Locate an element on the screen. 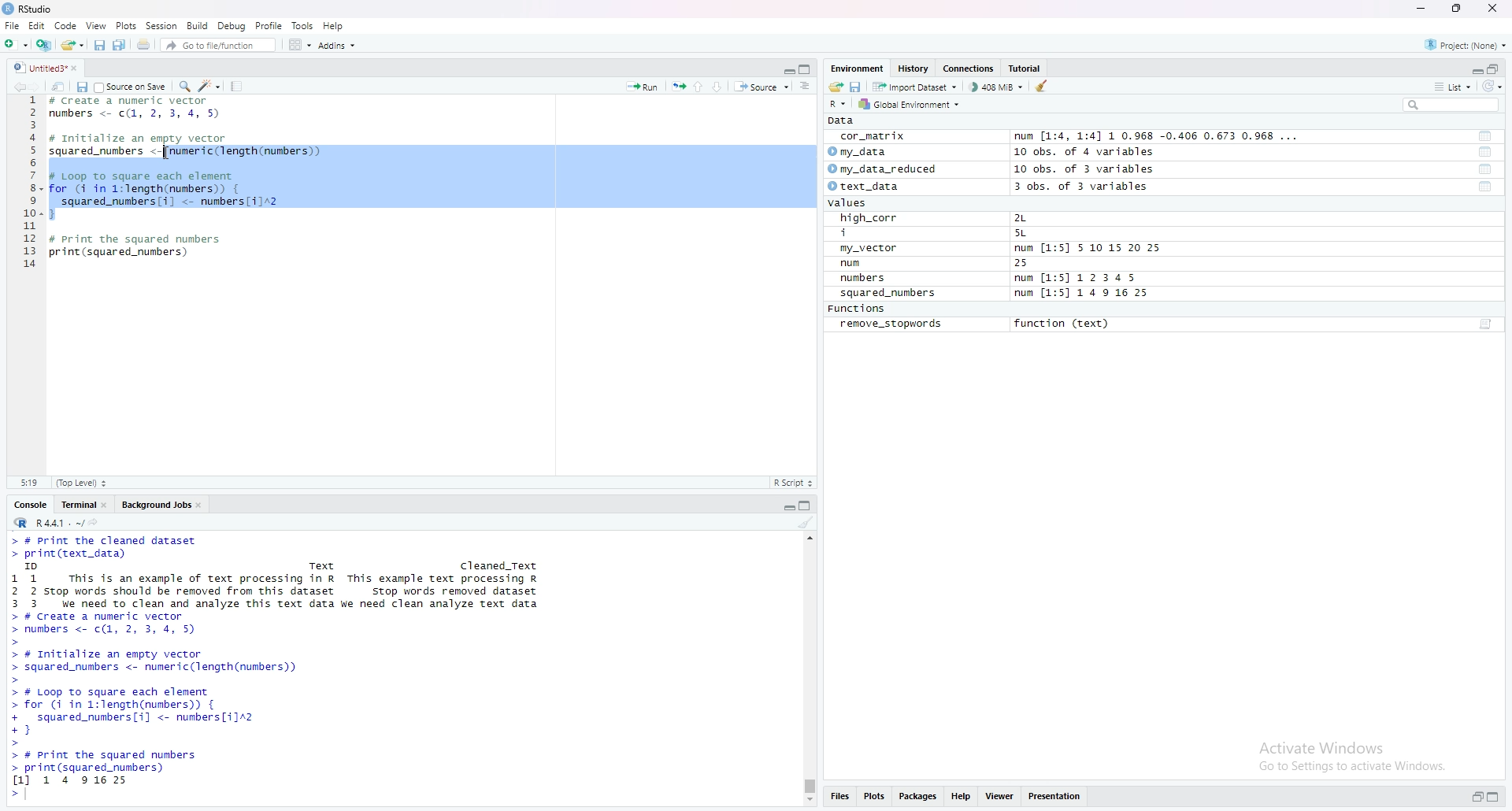 The image size is (1512, 811). Plots is located at coordinates (874, 798).